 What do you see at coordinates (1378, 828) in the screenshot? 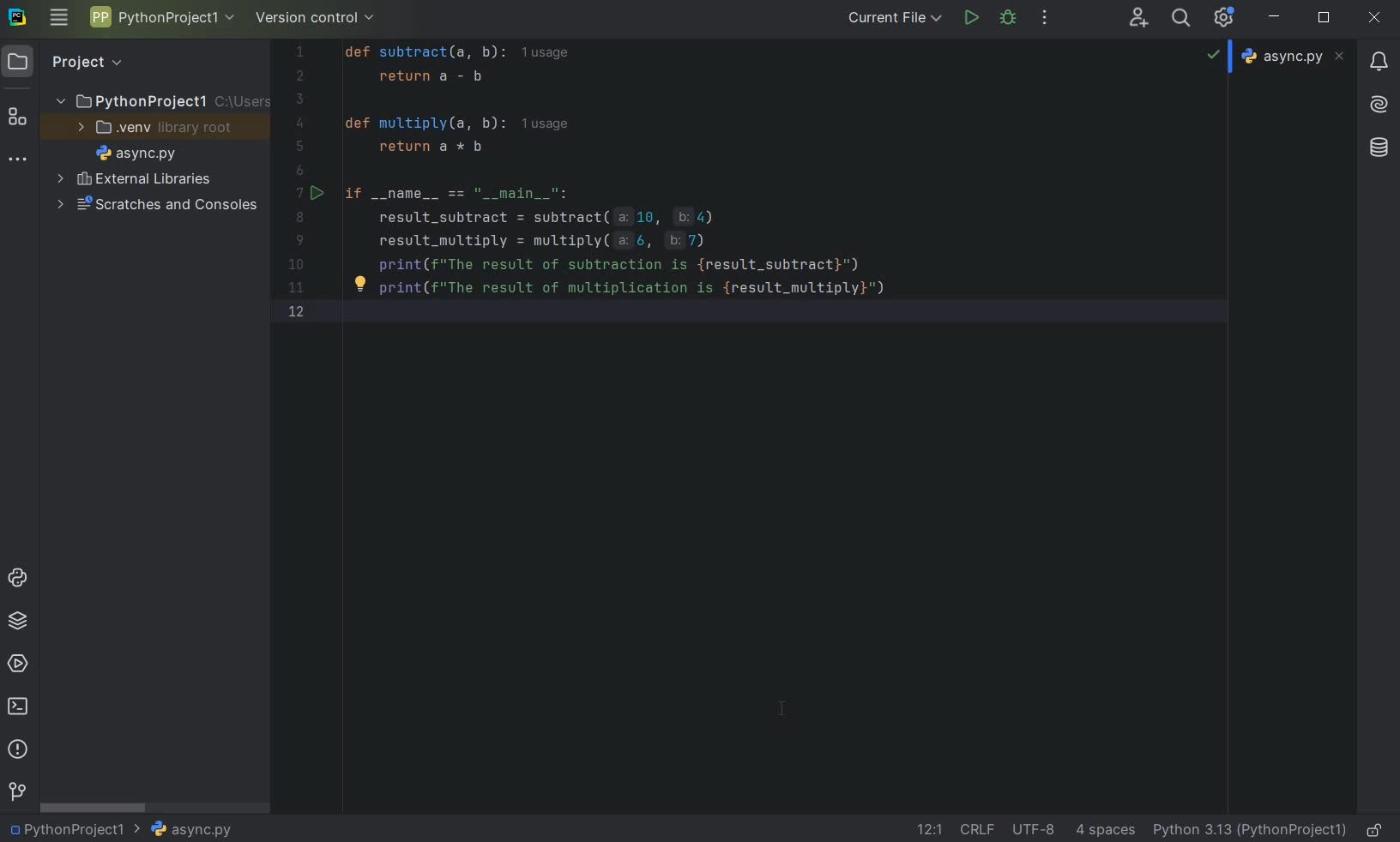
I see `MAKE FILE READY ONLY` at bounding box center [1378, 828].